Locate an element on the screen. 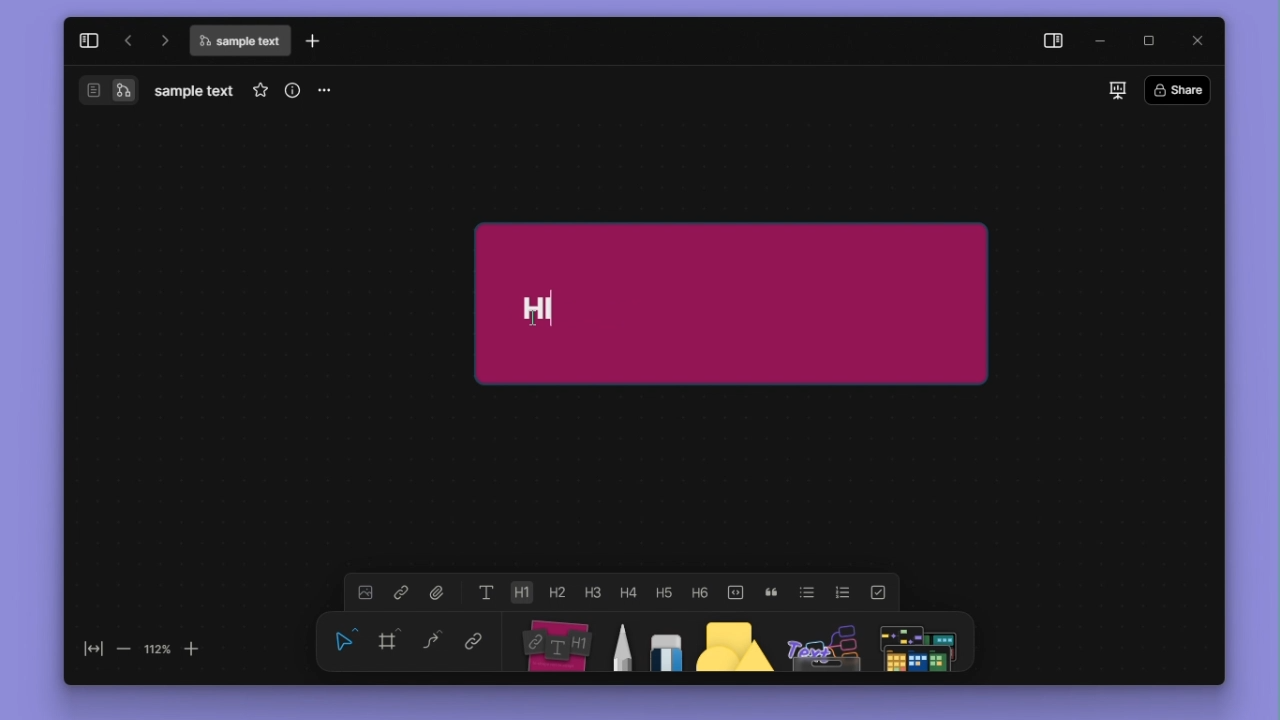  close is located at coordinates (1197, 41).